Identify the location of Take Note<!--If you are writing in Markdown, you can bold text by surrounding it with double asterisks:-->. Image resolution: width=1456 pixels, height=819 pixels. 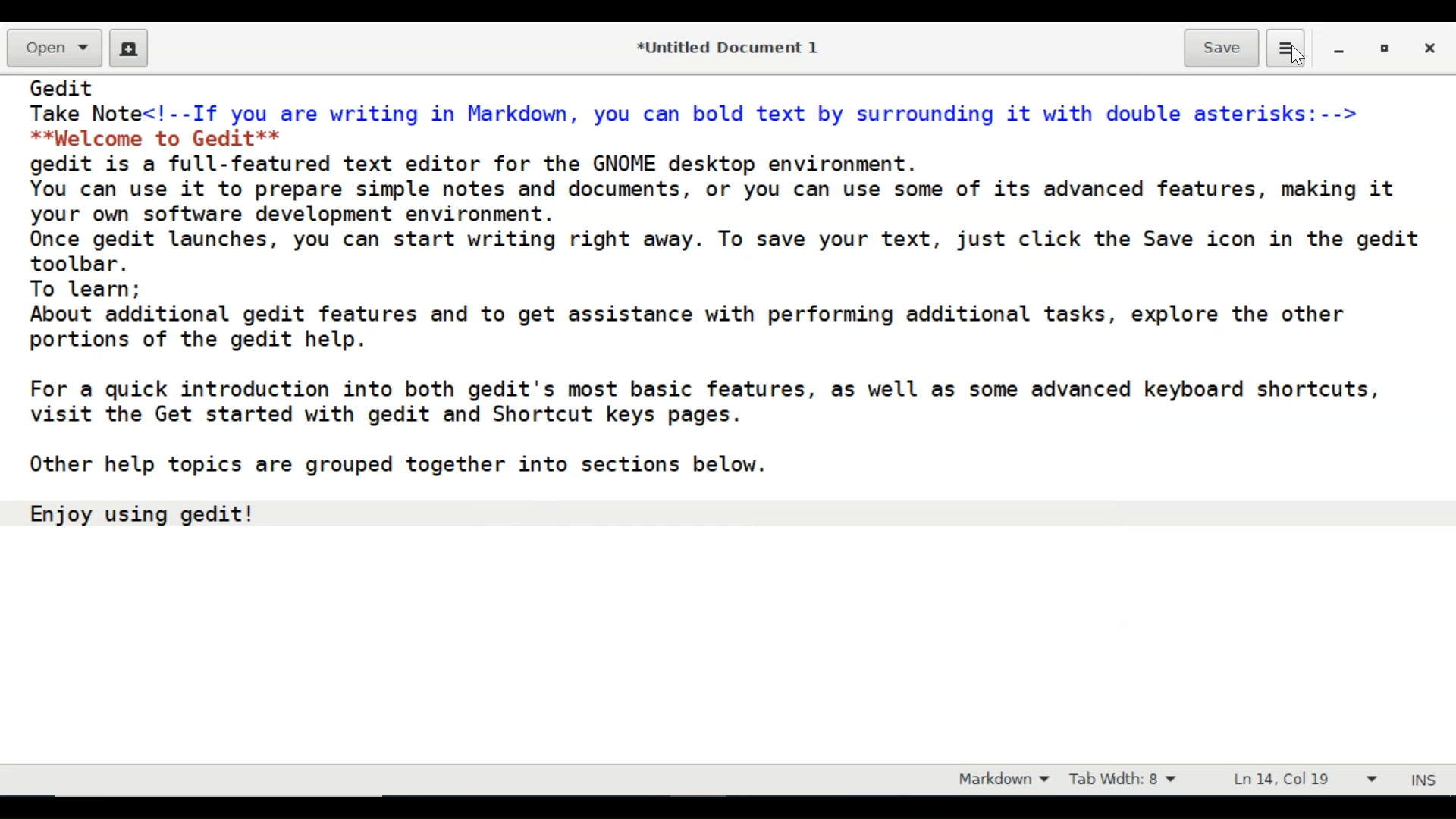
(701, 111).